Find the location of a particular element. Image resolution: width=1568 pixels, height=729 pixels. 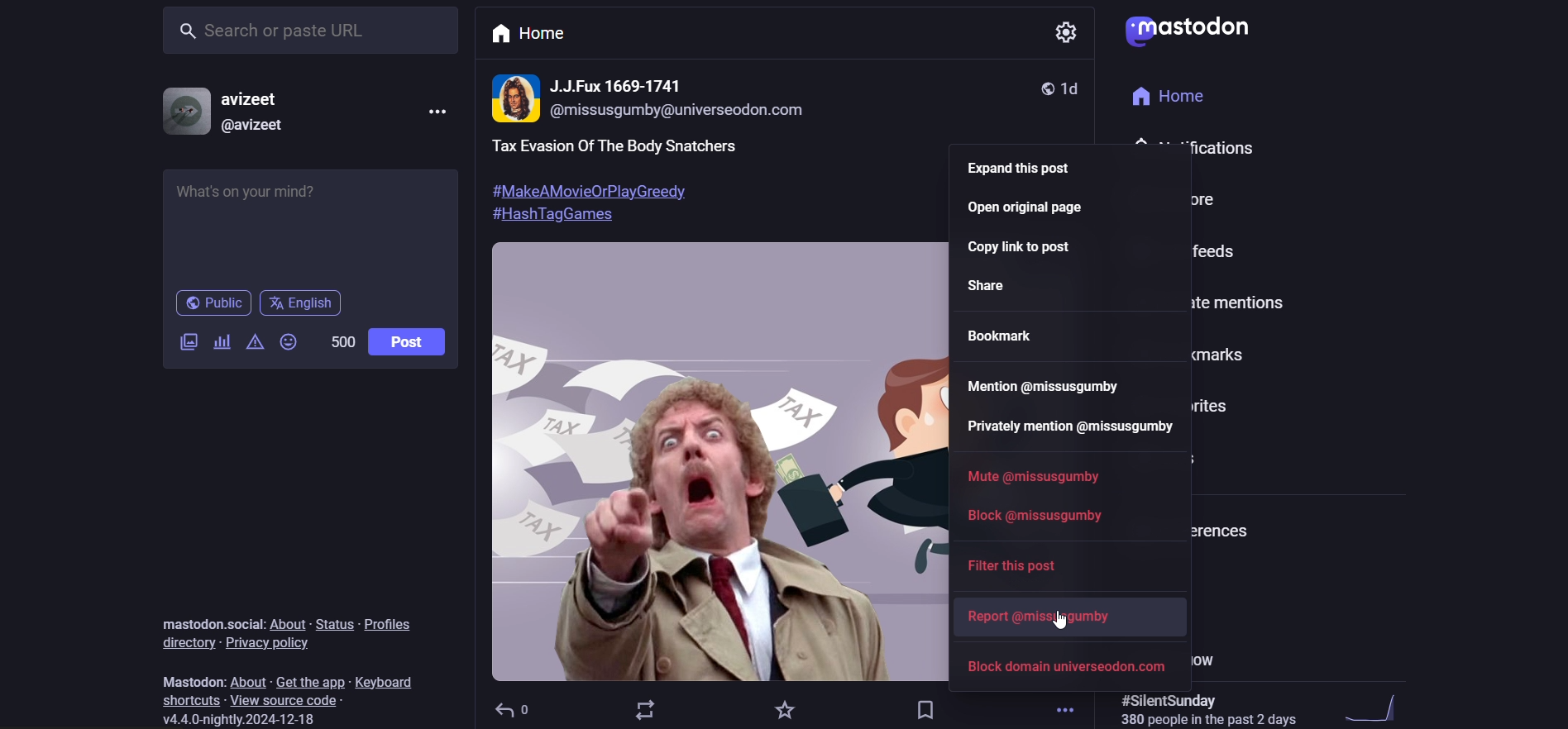

last modified is located at coordinates (1079, 86).